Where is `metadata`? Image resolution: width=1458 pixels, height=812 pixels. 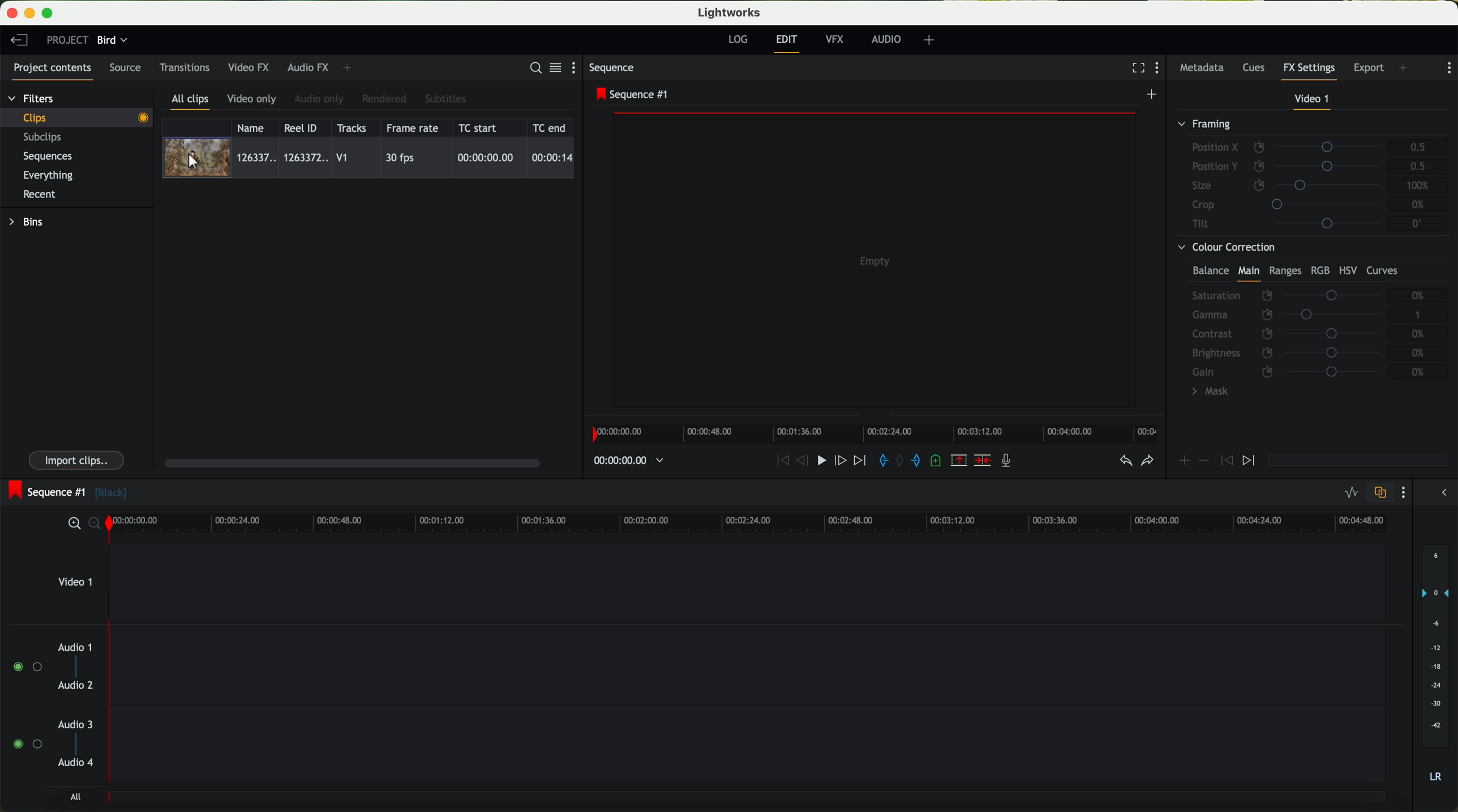 metadata is located at coordinates (1204, 68).